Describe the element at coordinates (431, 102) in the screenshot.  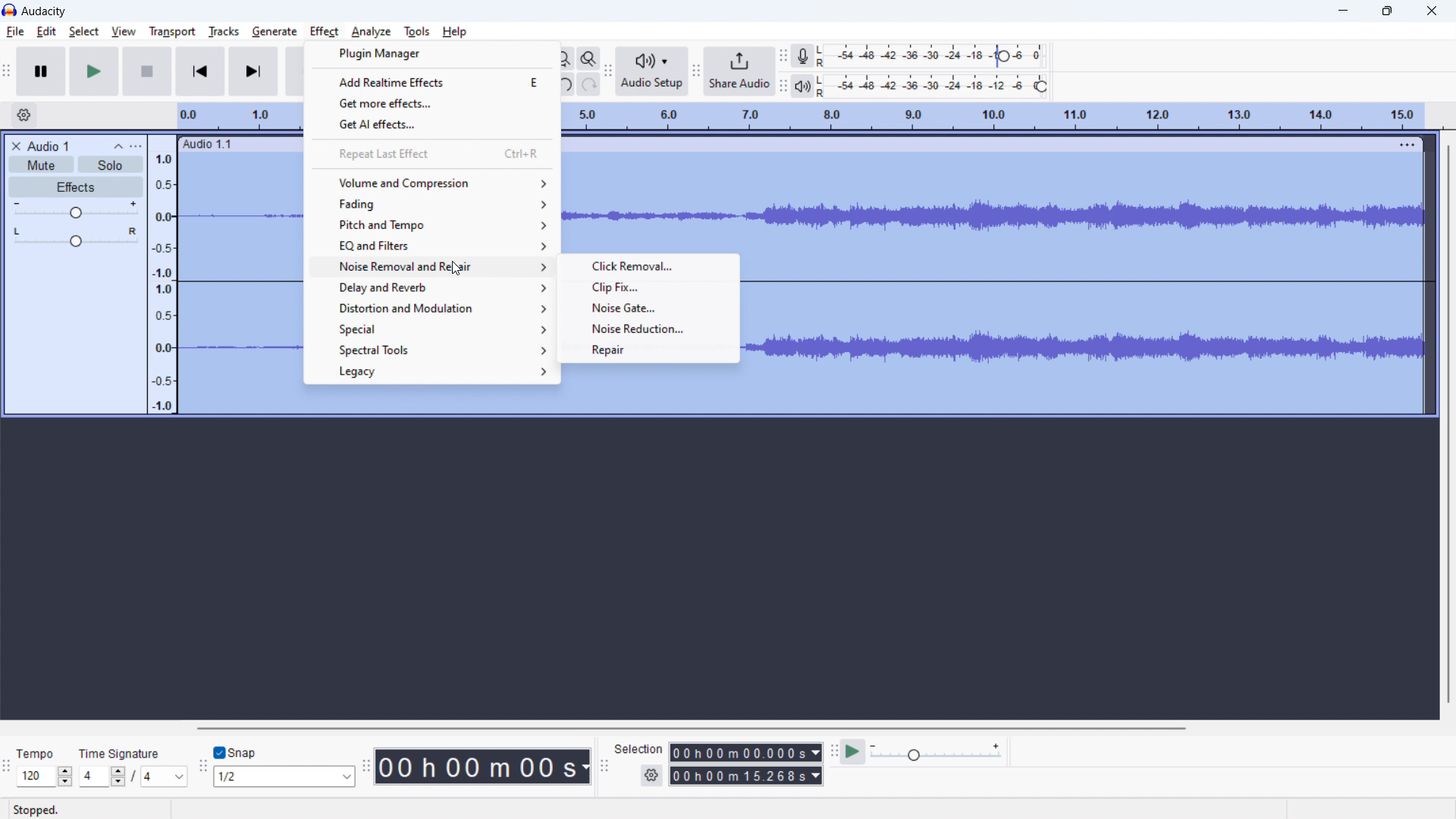
I see `get more effects` at that location.